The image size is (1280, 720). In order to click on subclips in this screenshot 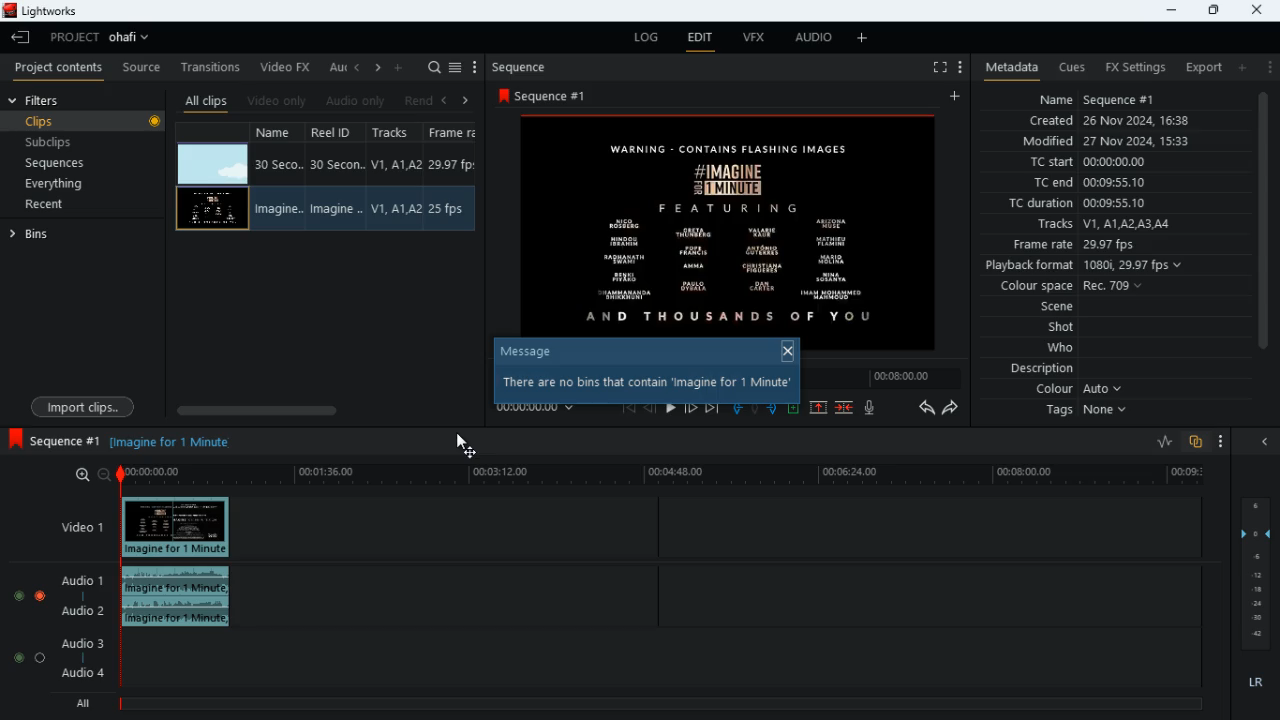, I will do `click(76, 142)`.